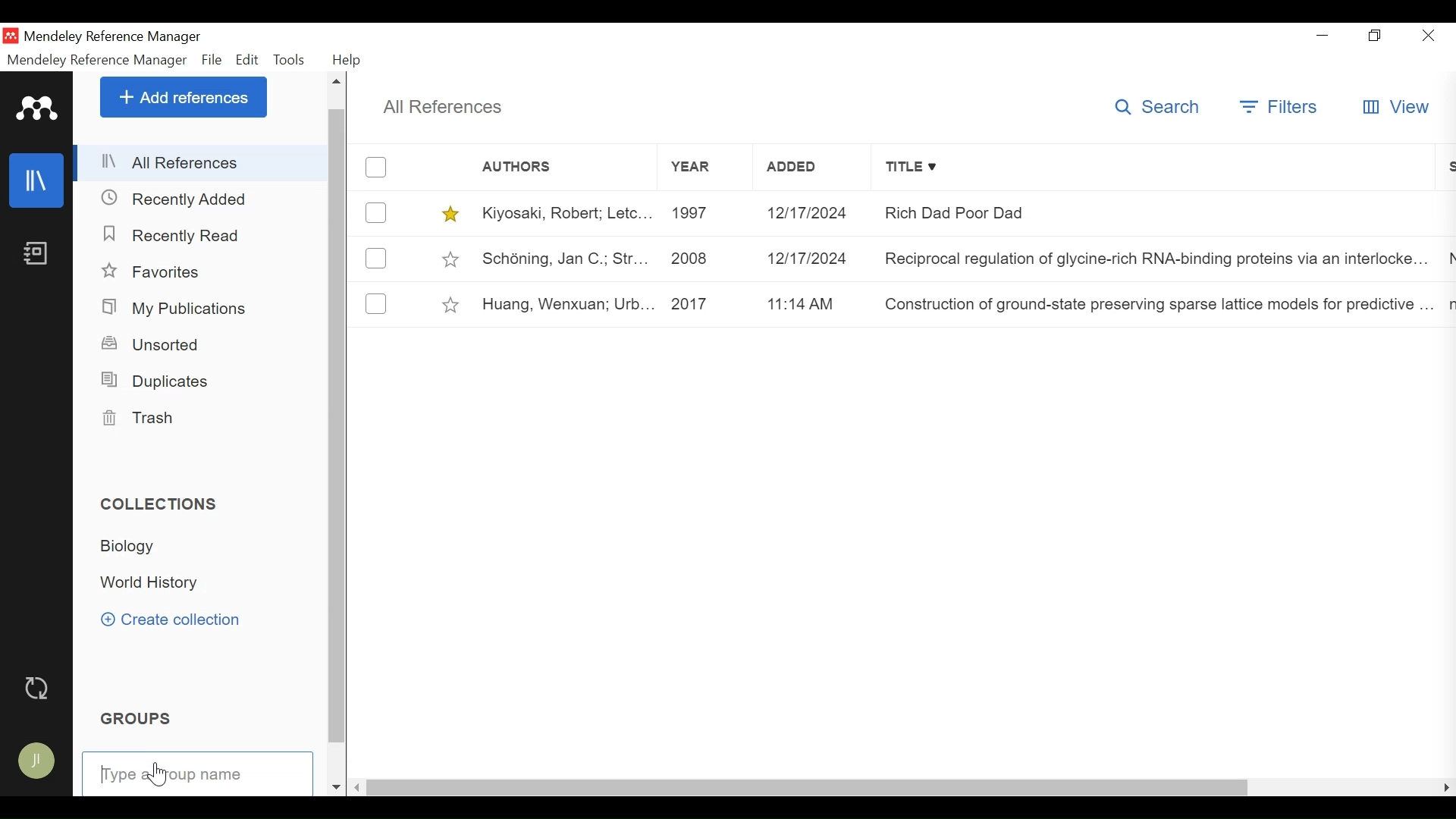  I want to click on Cursor, so click(160, 777).